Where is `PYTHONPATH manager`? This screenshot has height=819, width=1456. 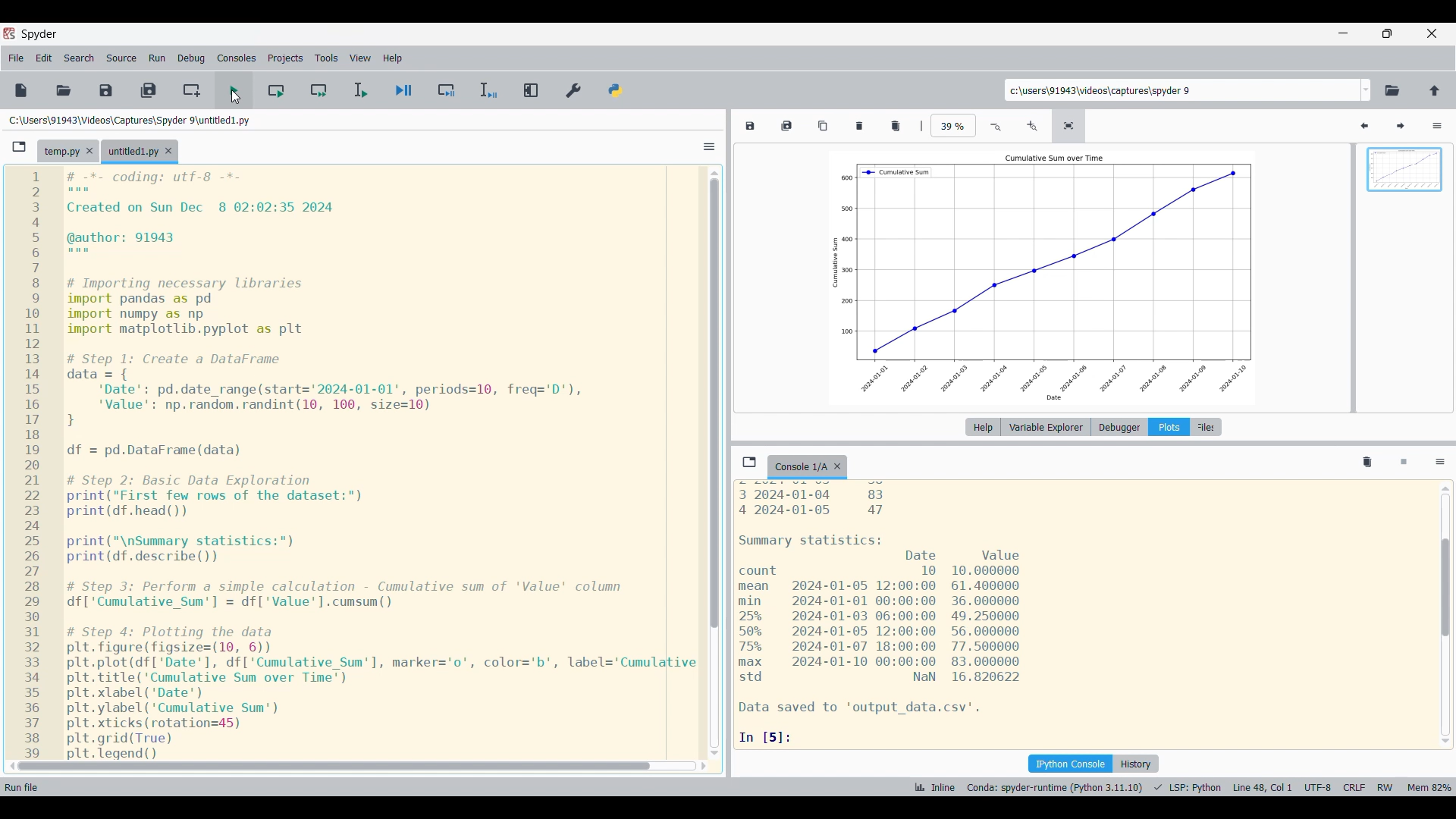
PYTHONPATH manager is located at coordinates (616, 91).